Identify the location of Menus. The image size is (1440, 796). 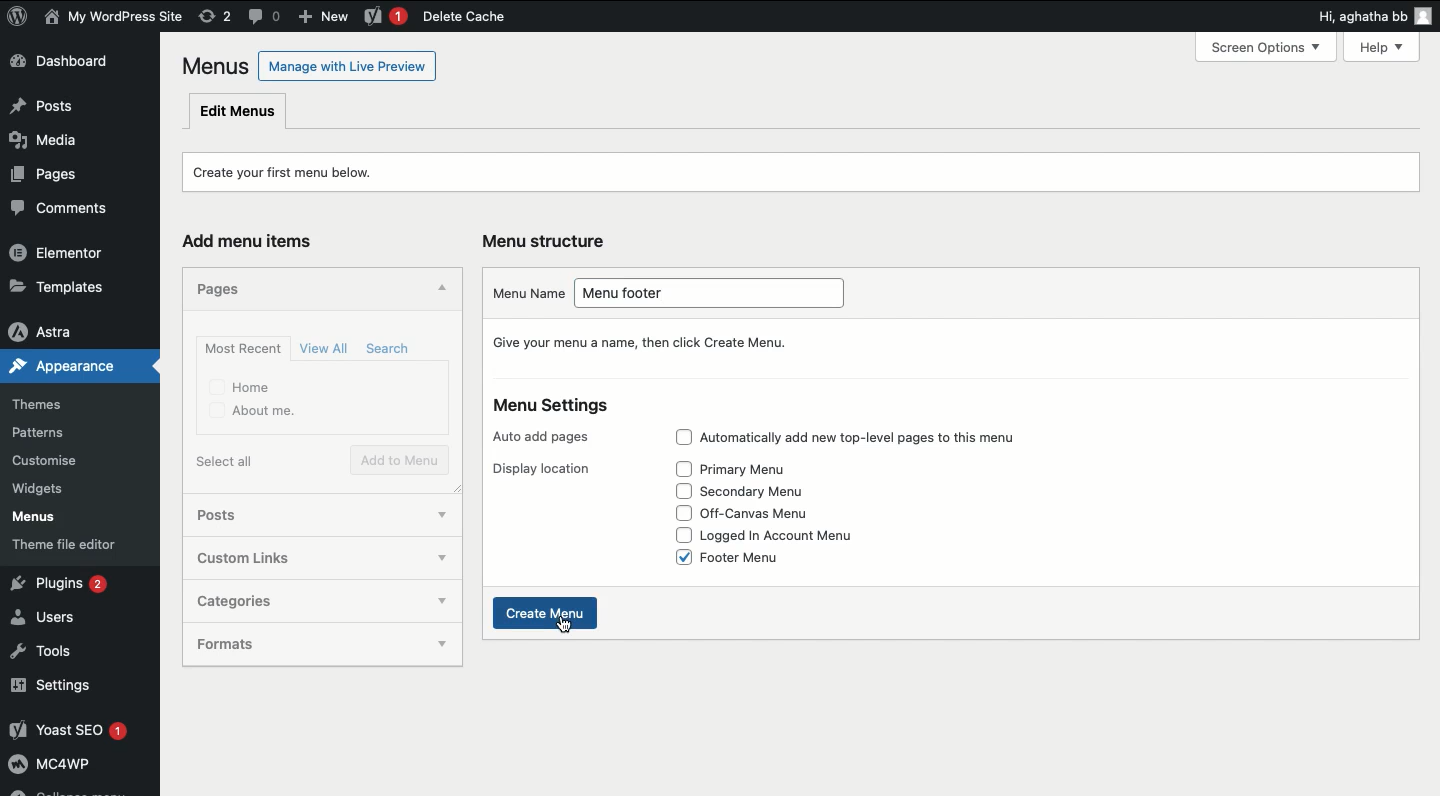
(212, 66).